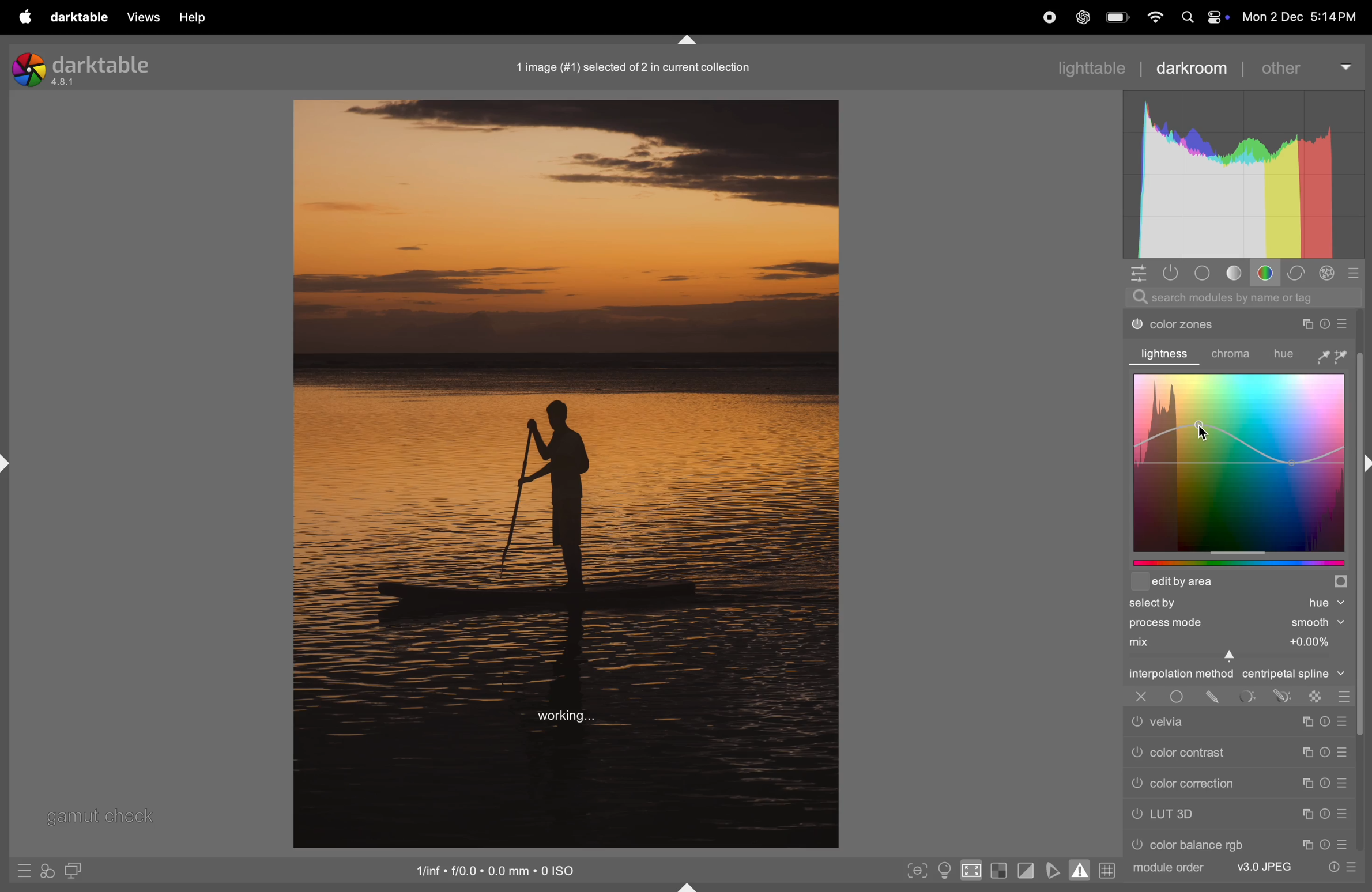  I want to click on , so click(1317, 697).